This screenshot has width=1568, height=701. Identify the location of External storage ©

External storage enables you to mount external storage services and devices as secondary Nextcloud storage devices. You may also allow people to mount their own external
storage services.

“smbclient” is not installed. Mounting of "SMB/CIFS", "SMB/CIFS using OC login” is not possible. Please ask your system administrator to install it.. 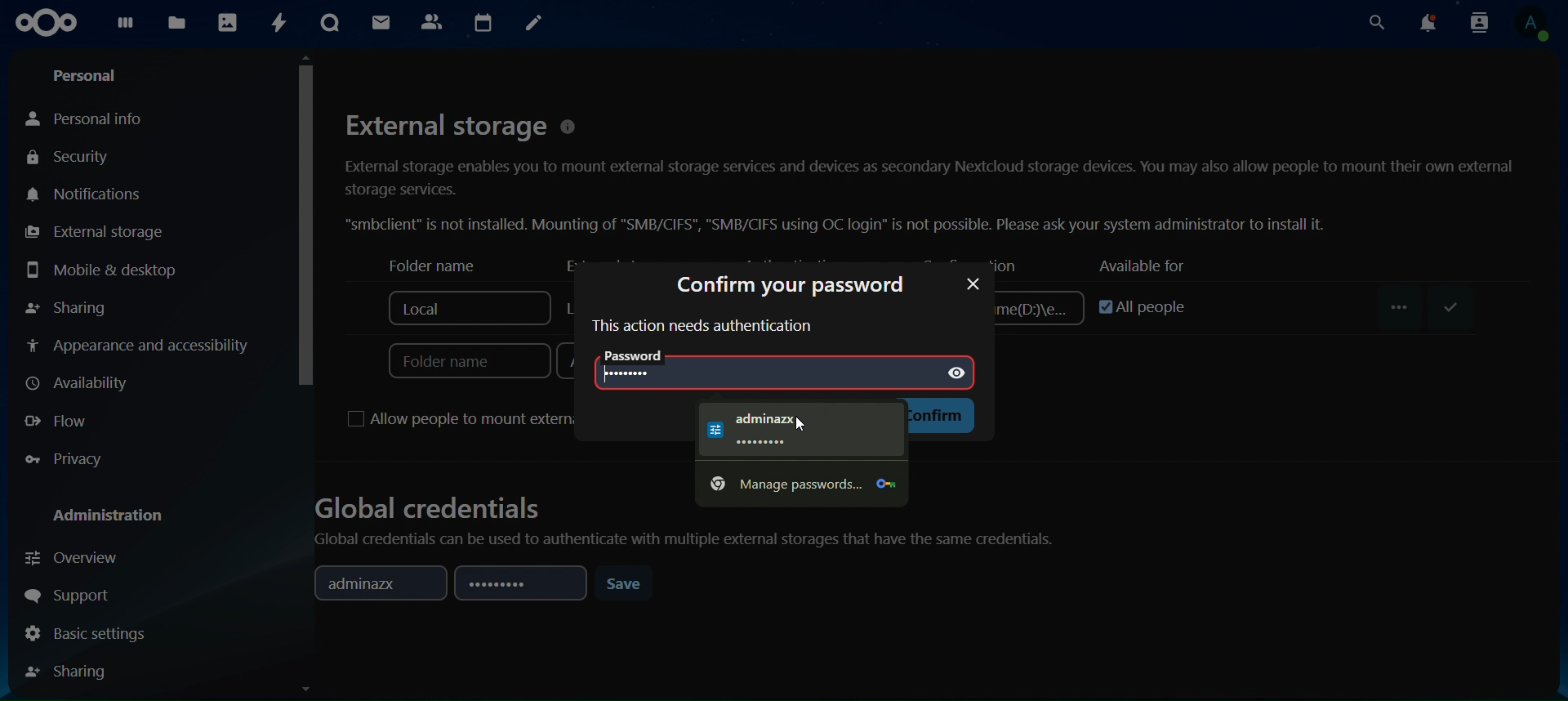
(929, 170).